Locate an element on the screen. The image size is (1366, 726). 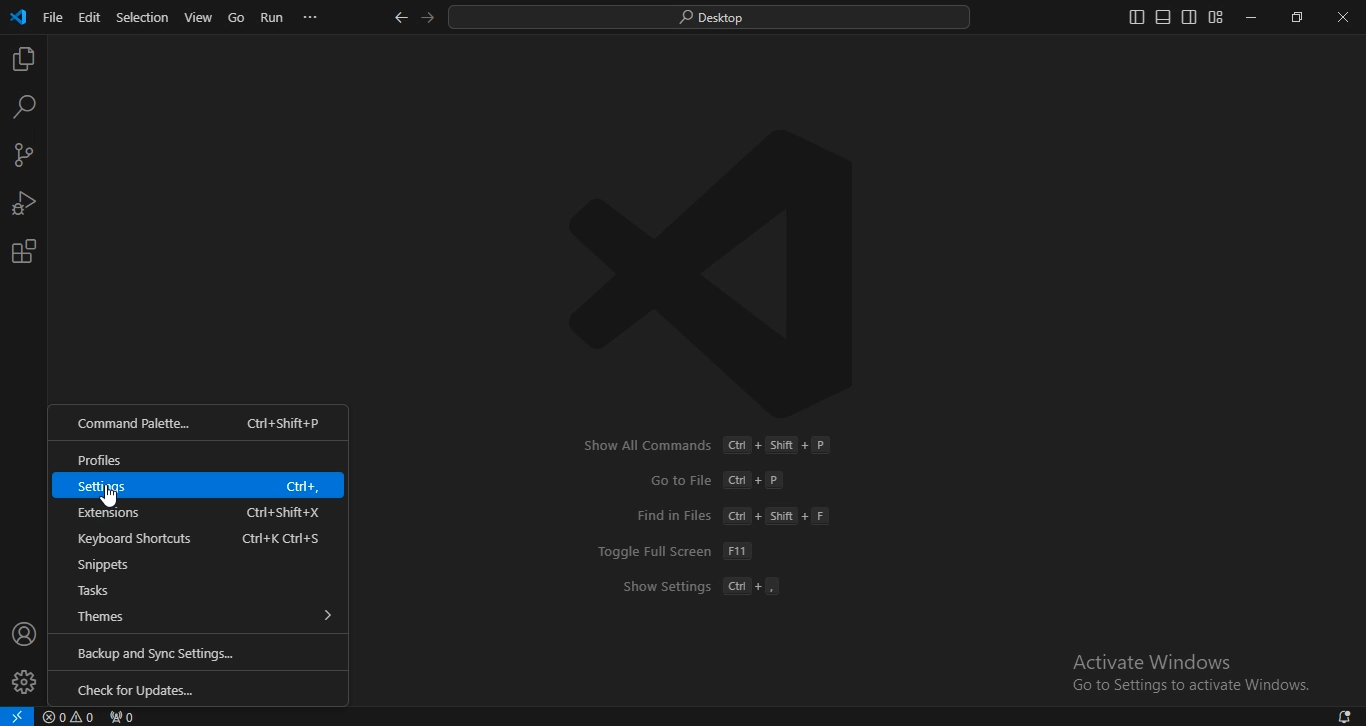
themes is located at coordinates (201, 618).